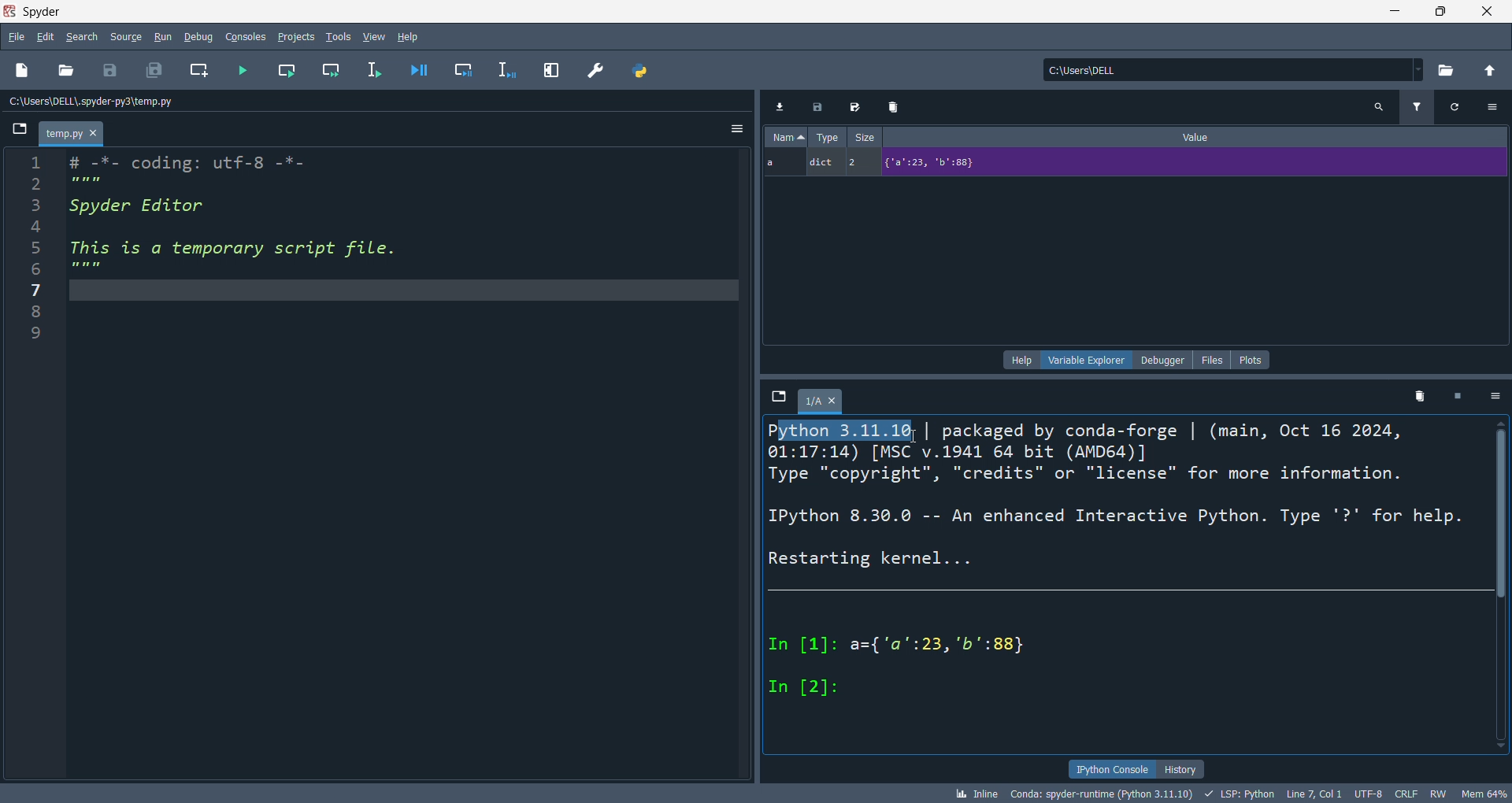  What do you see at coordinates (1085, 361) in the screenshot?
I see `variable explorer` at bounding box center [1085, 361].